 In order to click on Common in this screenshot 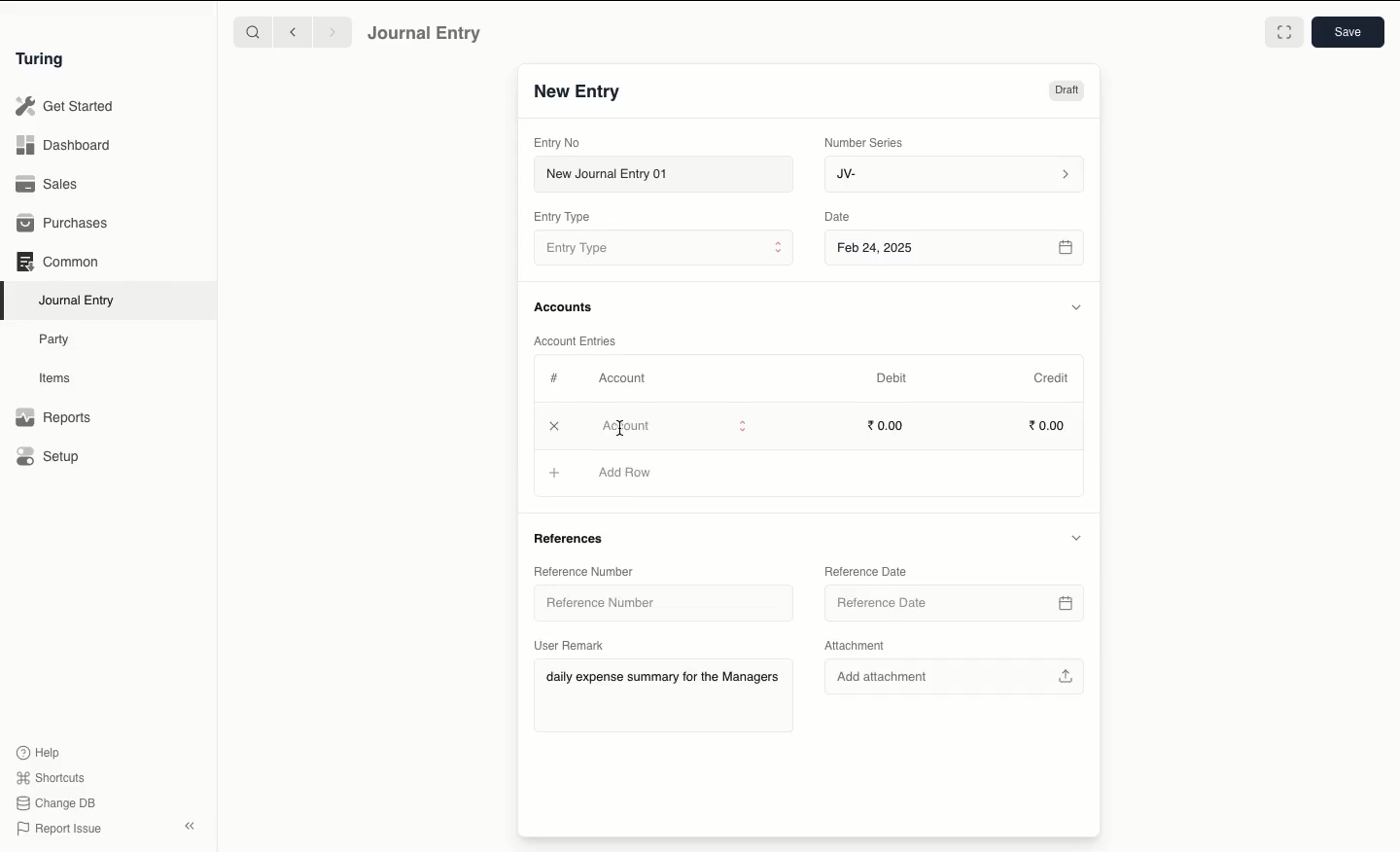, I will do `click(59, 262)`.